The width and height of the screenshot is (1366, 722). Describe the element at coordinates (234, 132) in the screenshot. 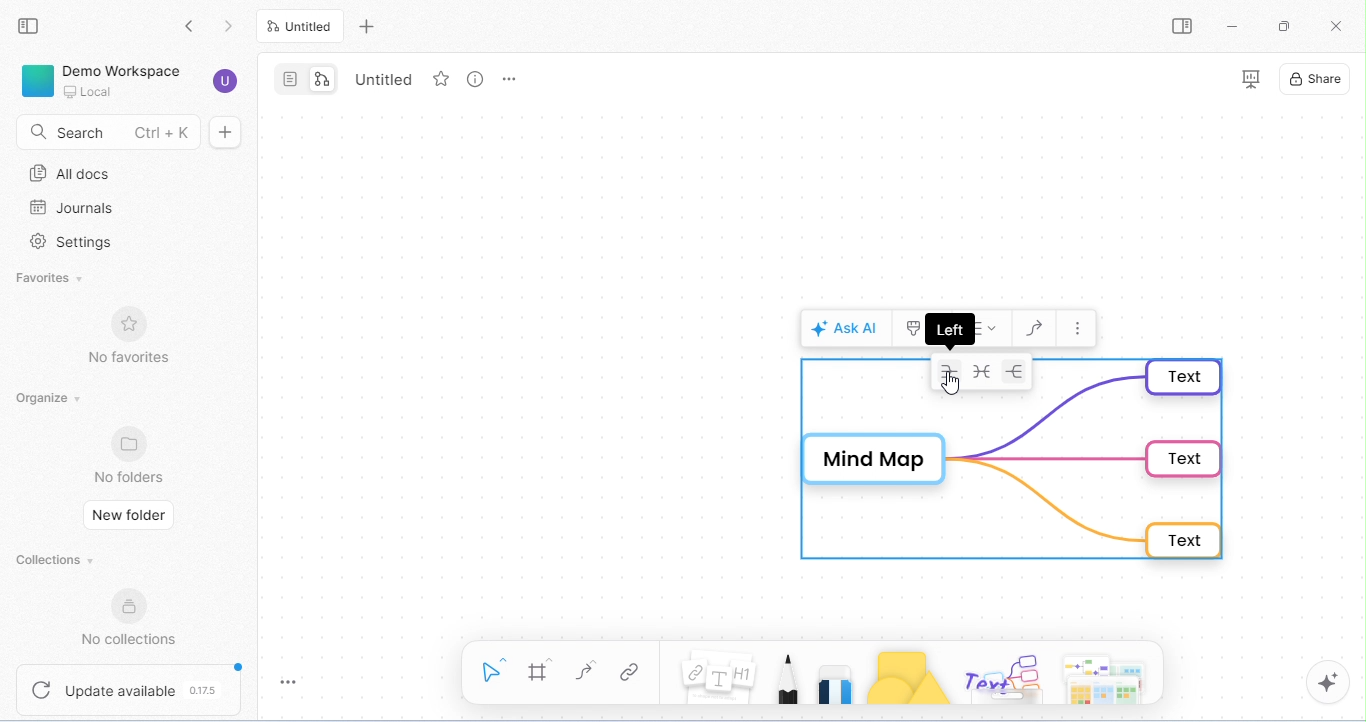

I see `new doc` at that location.